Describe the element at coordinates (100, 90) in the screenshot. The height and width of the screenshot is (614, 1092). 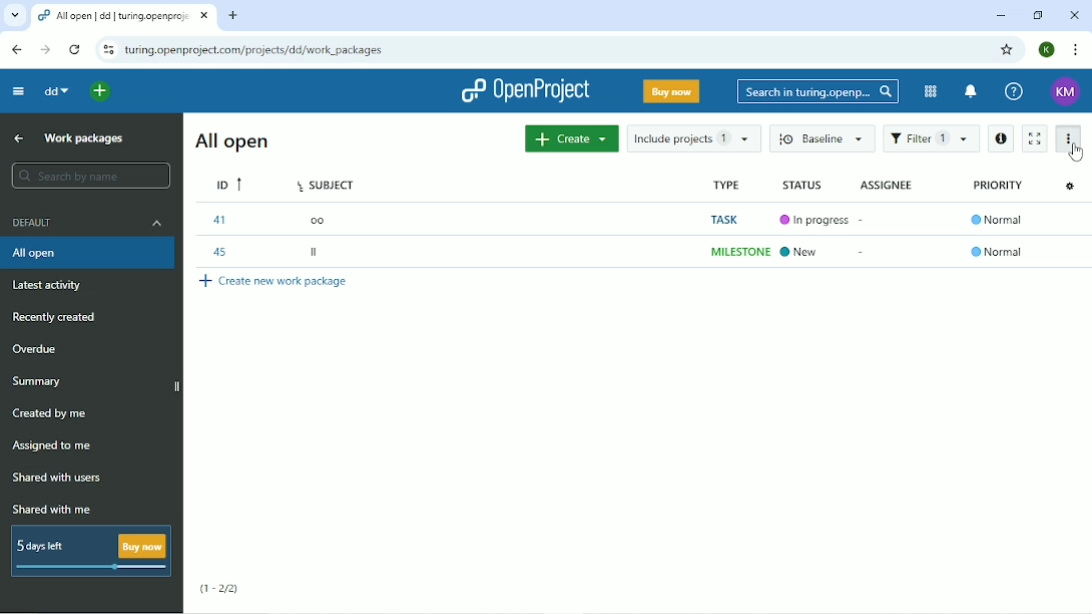
I see `open quick add menu` at that location.